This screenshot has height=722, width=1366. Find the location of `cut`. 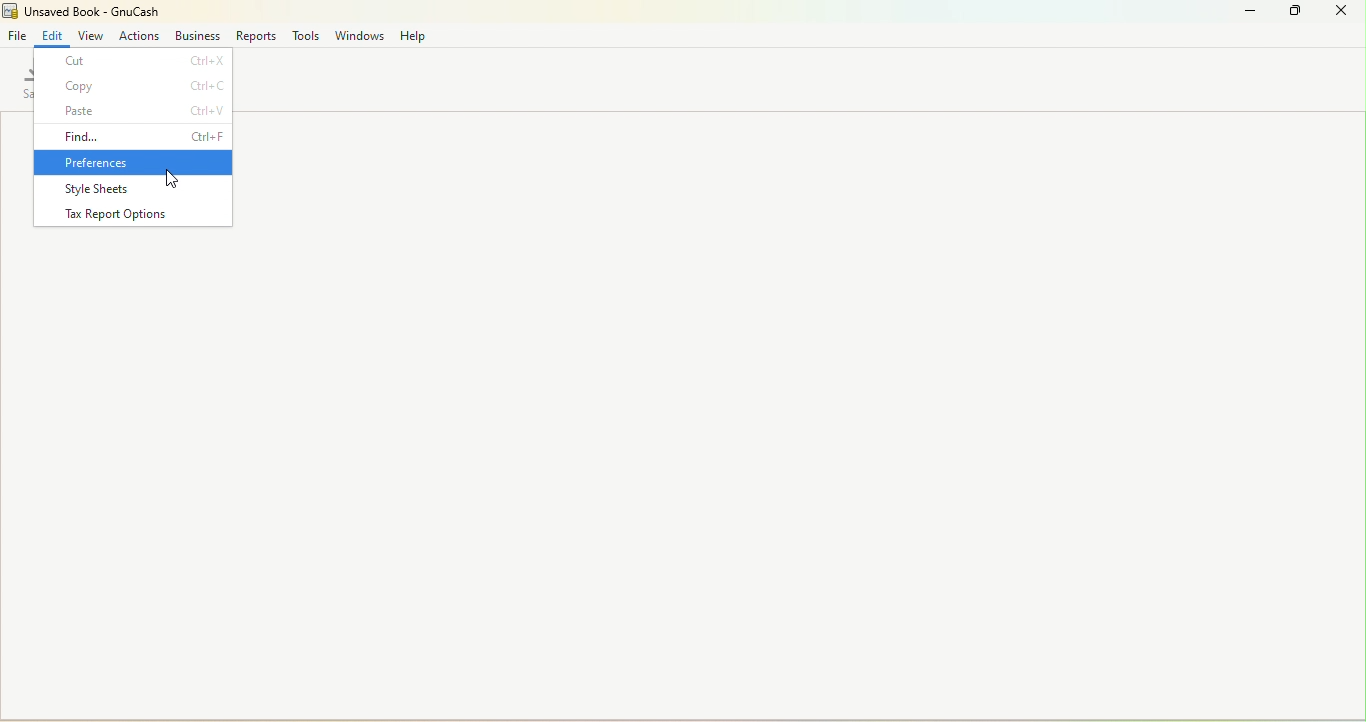

cut is located at coordinates (133, 59).